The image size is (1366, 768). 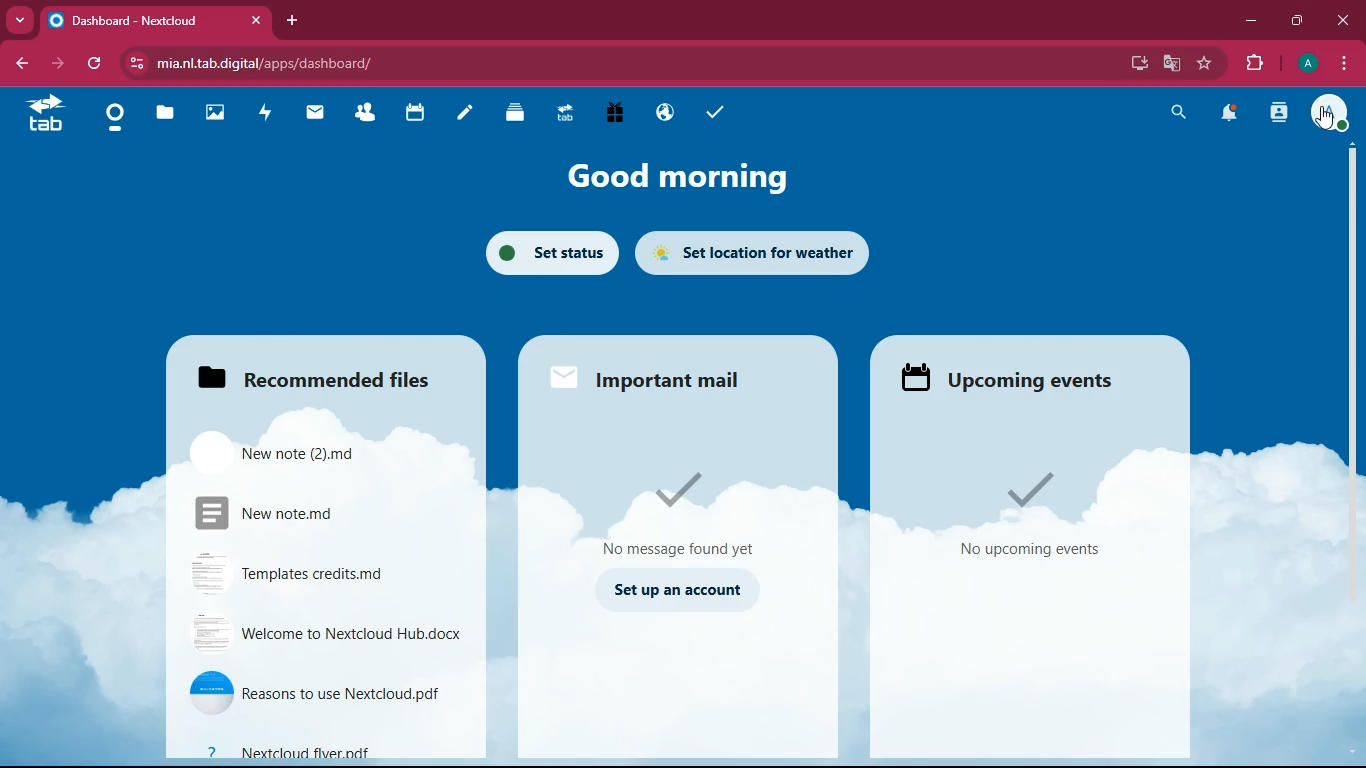 What do you see at coordinates (327, 632) in the screenshot?
I see `file` at bounding box center [327, 632].